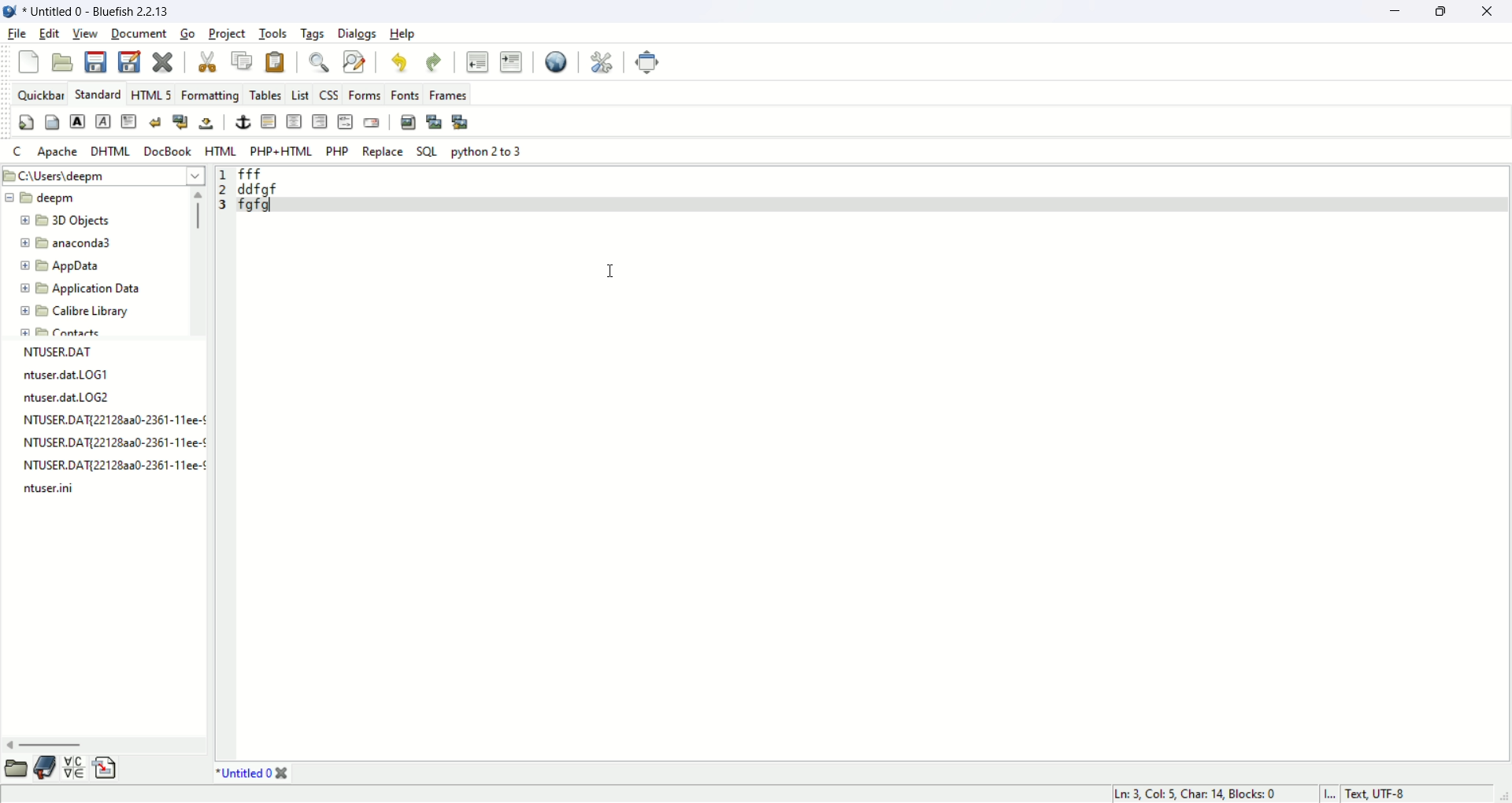 This screenshot has height=803, width=1512. What do you see at coordinates (54, 154) in the screenshot?
I see `apache` at bounding box center [54, 154].